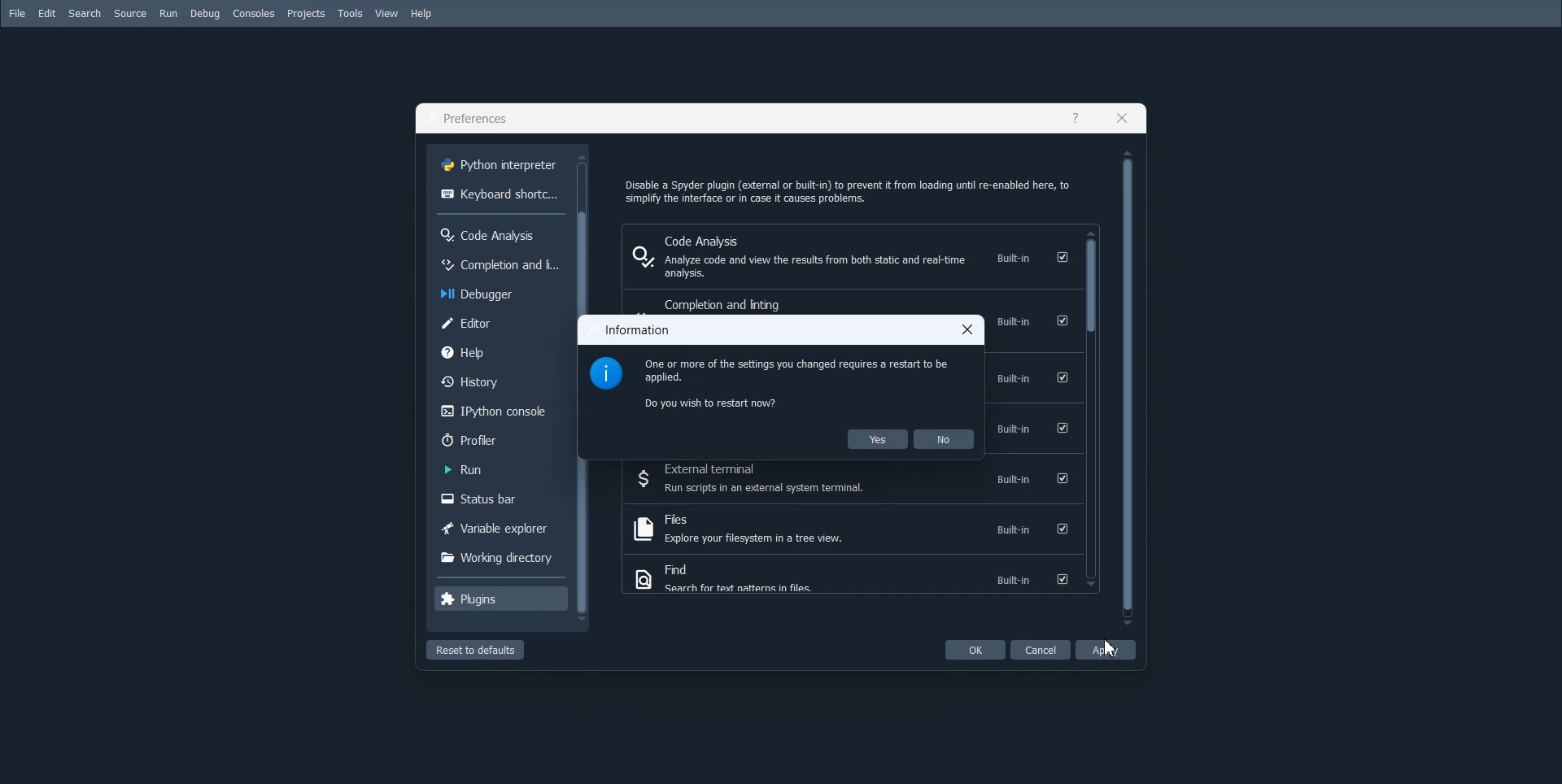  What do you see at coordinates (46, 14) in the screenshot?
I see `Edit` at bounding box center [46, 14].